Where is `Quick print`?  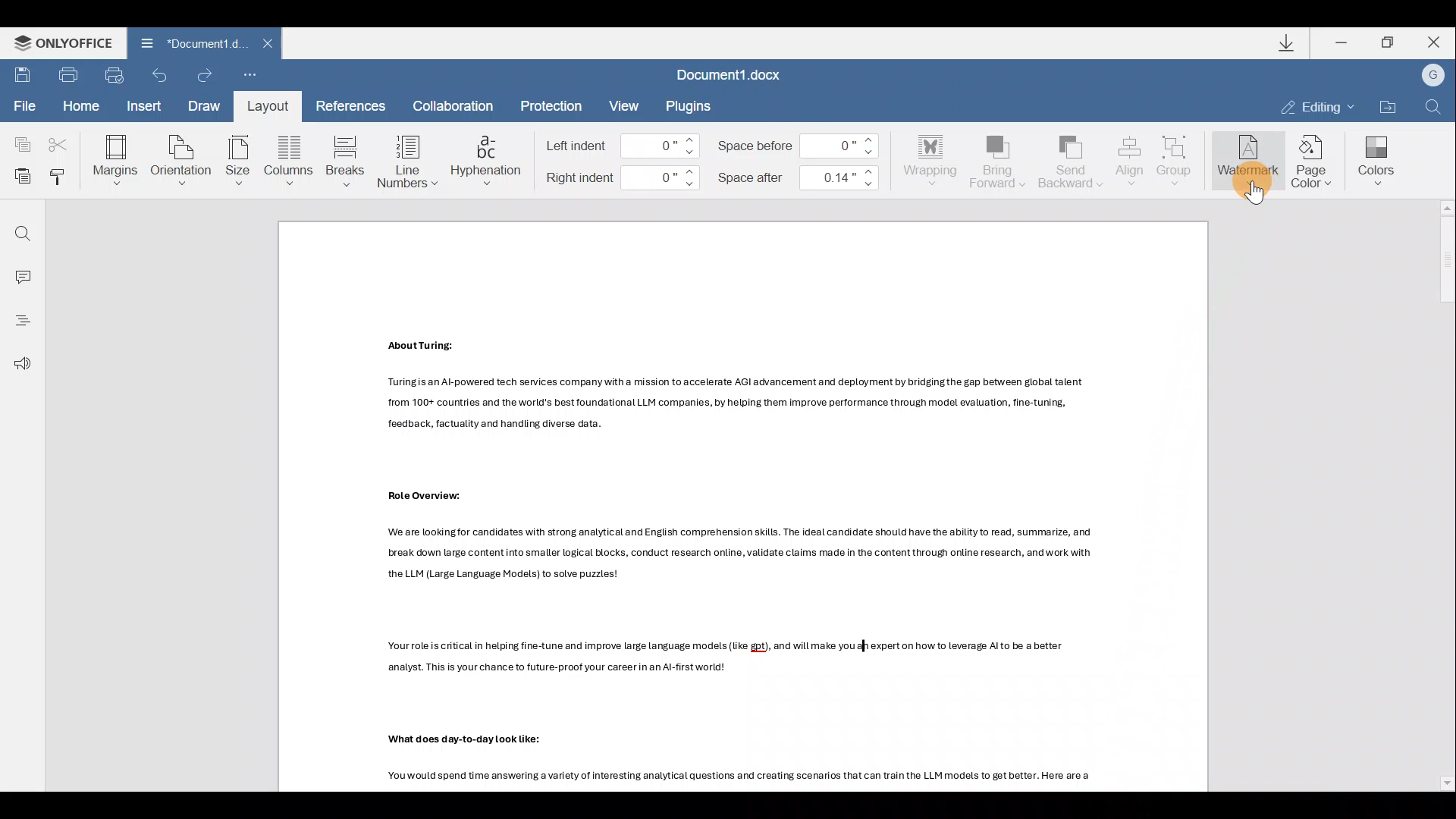 Quick print is located at coordinates (115, 74).